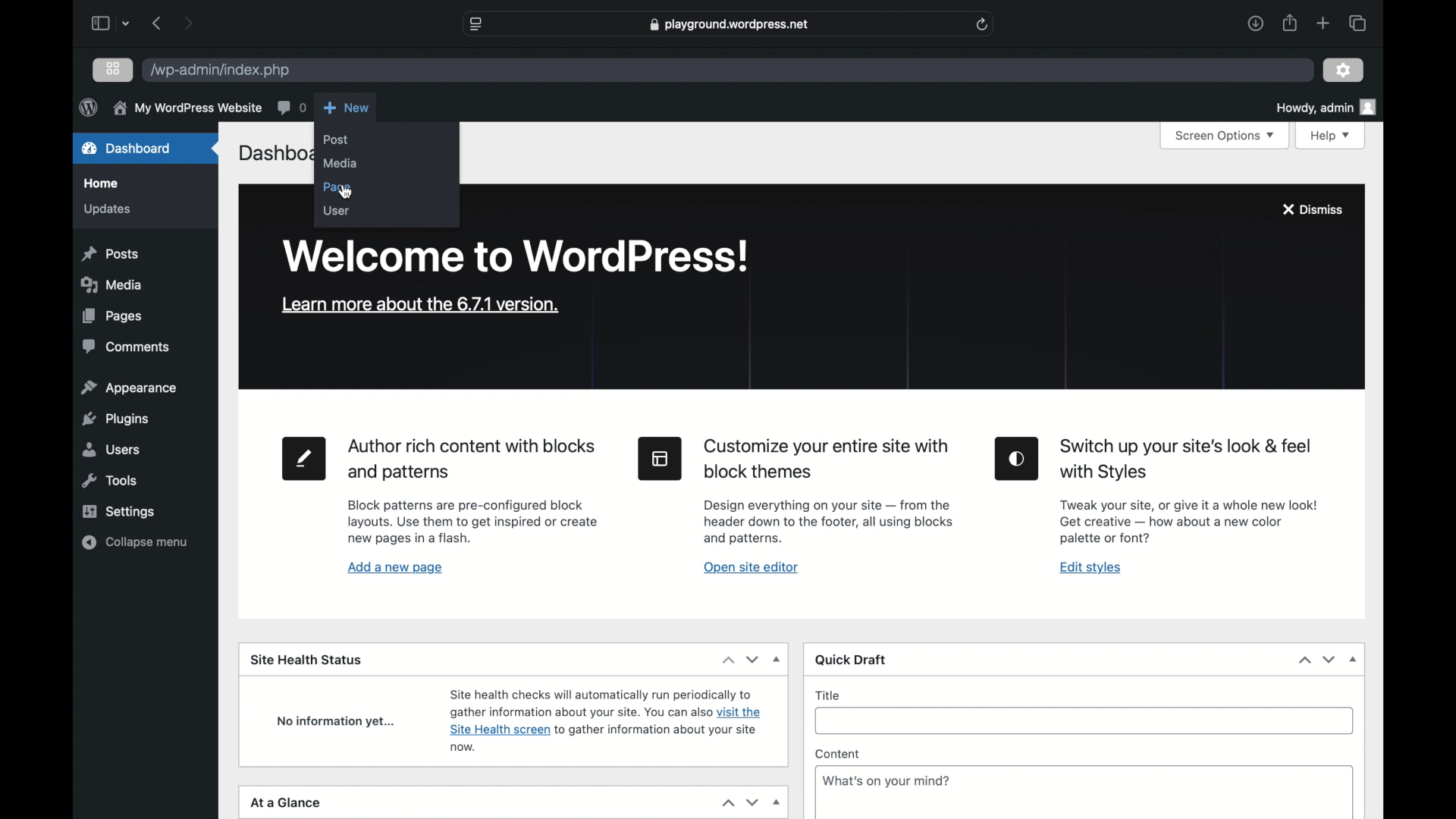  I want to click on content, so click(836, 755).